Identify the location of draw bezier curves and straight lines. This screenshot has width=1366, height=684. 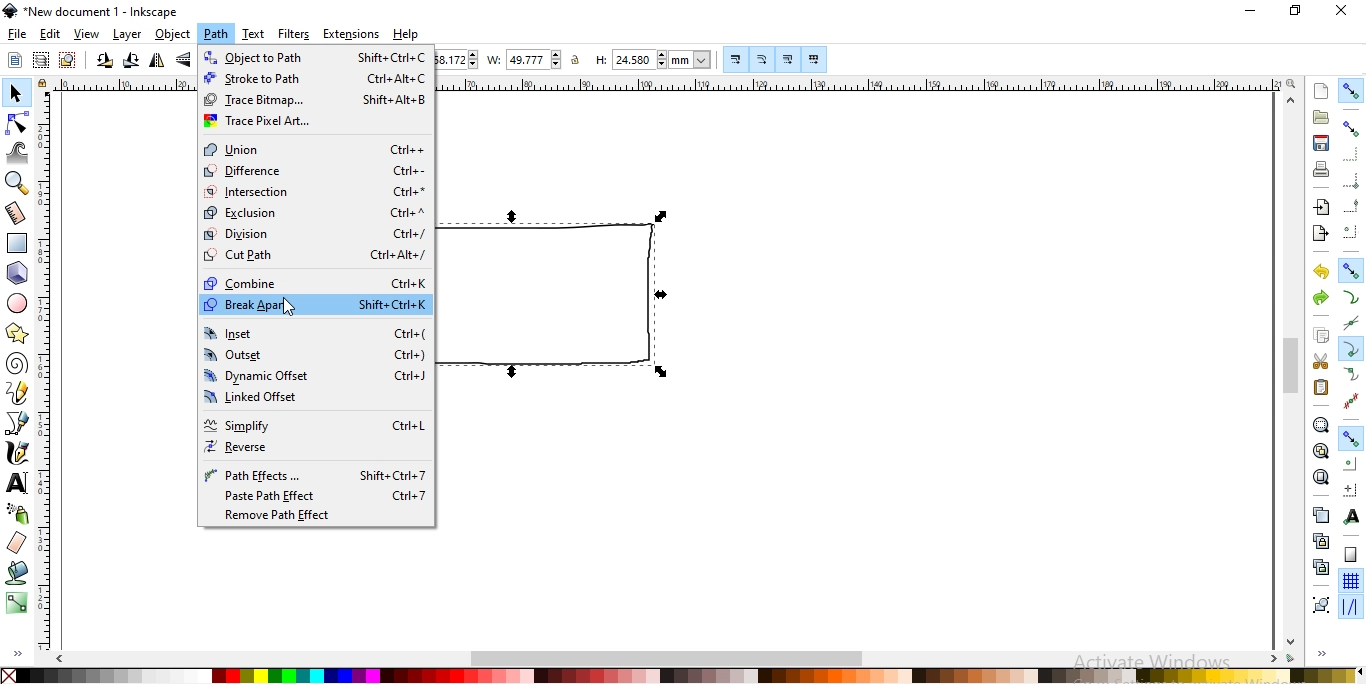
(18, 423).